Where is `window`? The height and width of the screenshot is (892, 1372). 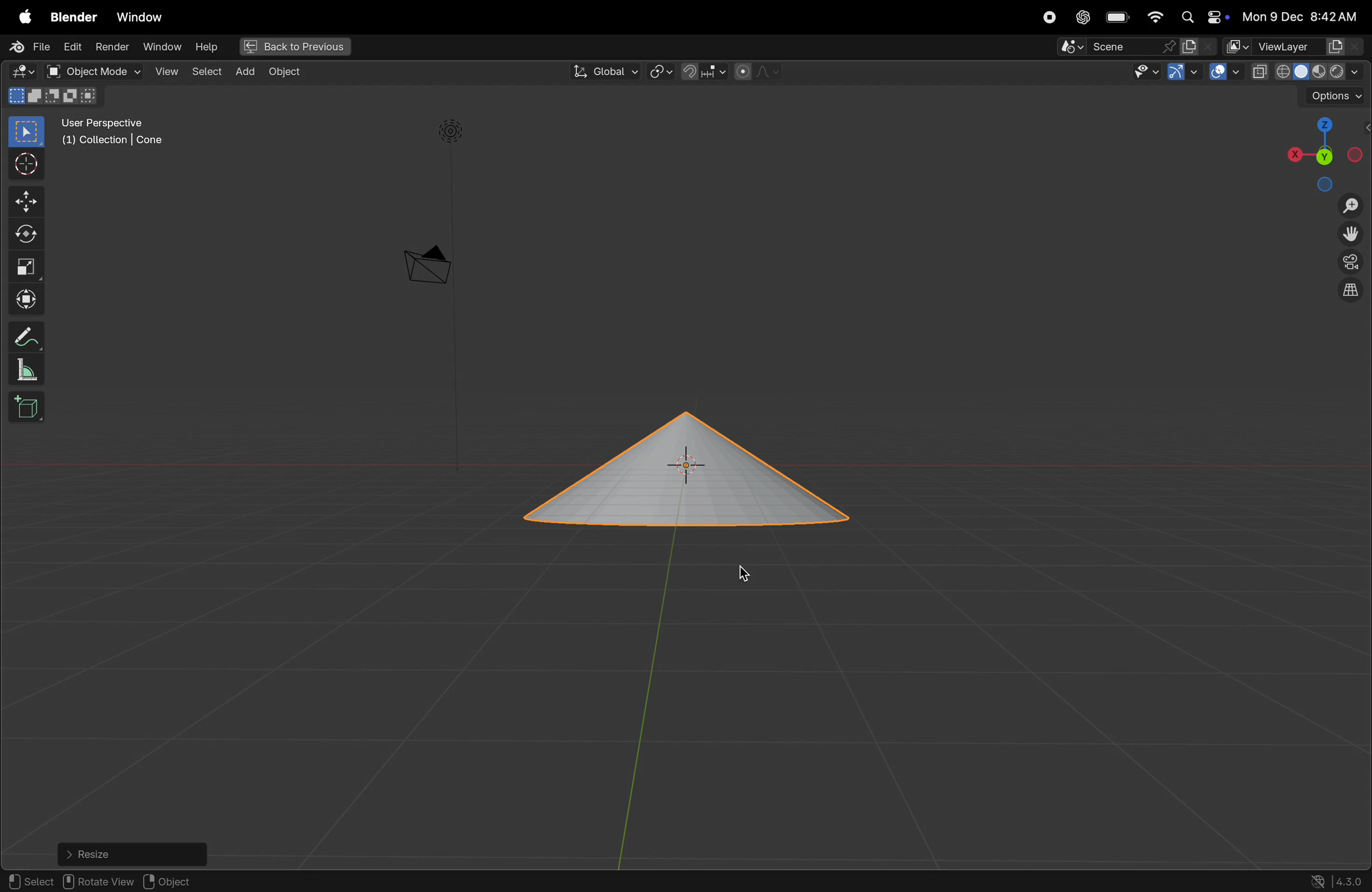
window is located at coordinates (163, 48).